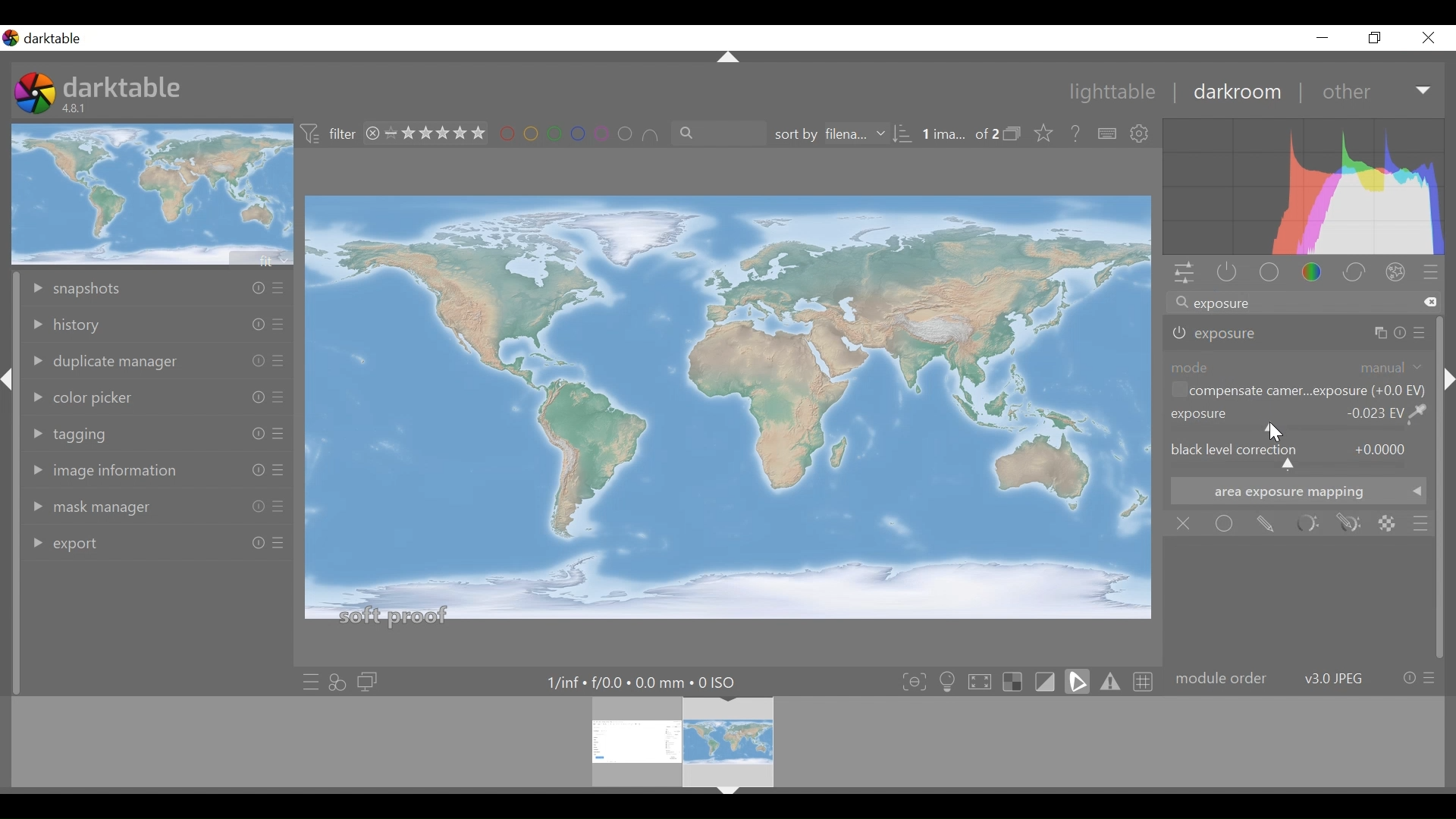 The image size is (1456, 819). Describe the element at coordinates (1181, 275) in the screenshot. I see `quick access panel` at that location.